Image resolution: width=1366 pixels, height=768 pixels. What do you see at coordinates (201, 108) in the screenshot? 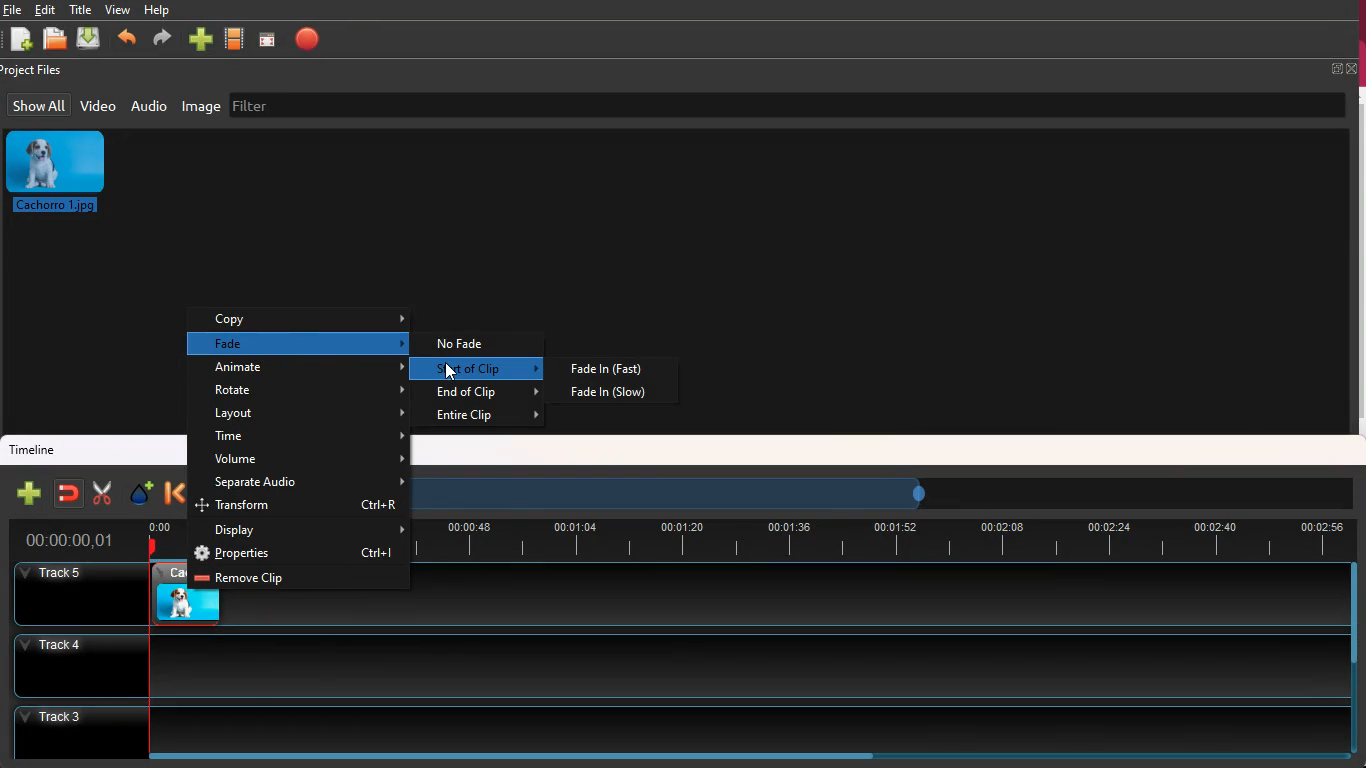
I see `image` at bounding box center [201, 108].